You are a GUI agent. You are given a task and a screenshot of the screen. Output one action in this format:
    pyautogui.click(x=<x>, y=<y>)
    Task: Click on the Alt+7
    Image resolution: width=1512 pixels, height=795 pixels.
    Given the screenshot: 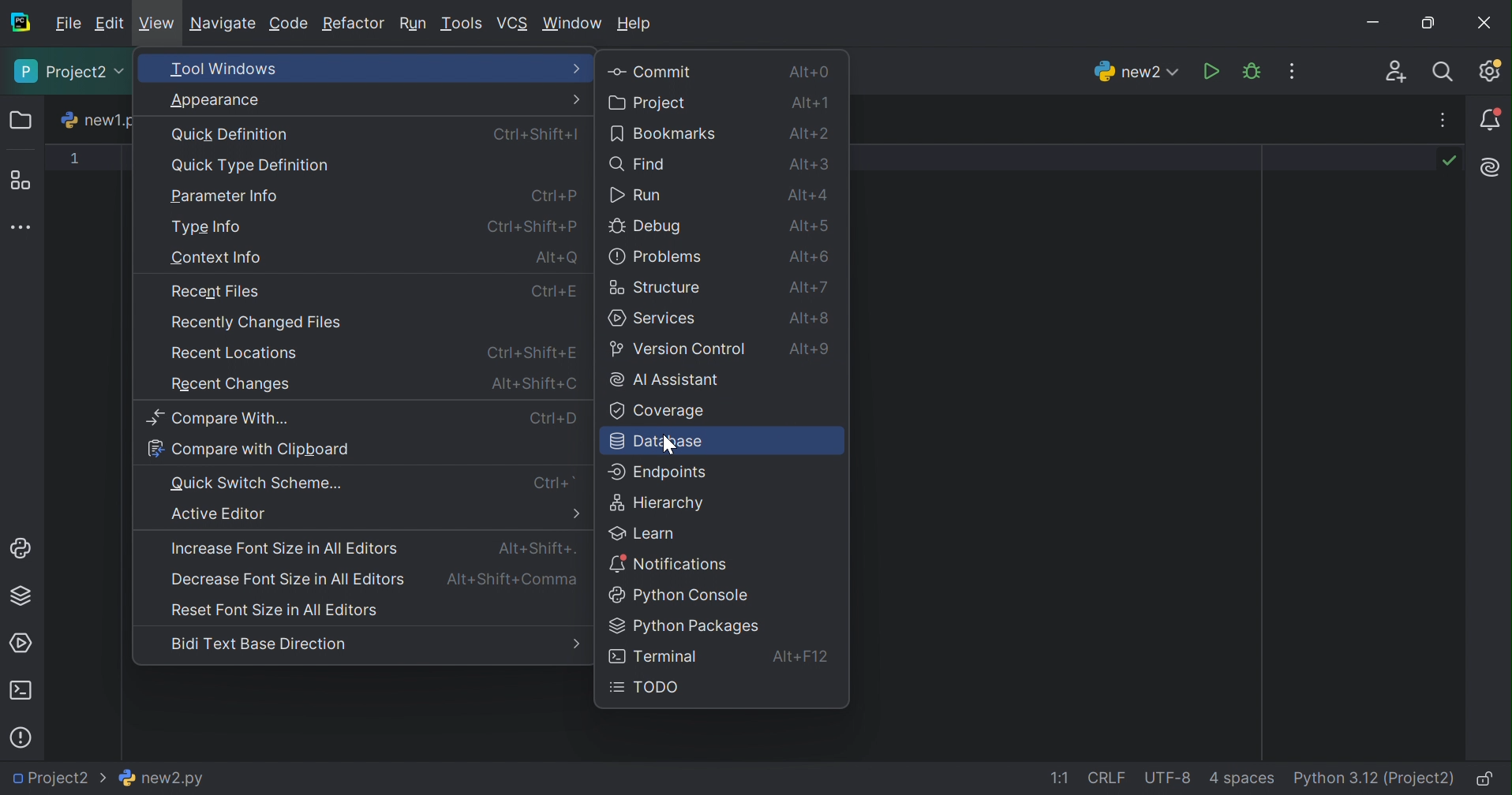 What is the action you would take?
    pyautogui.click(x=807, y=287)
    